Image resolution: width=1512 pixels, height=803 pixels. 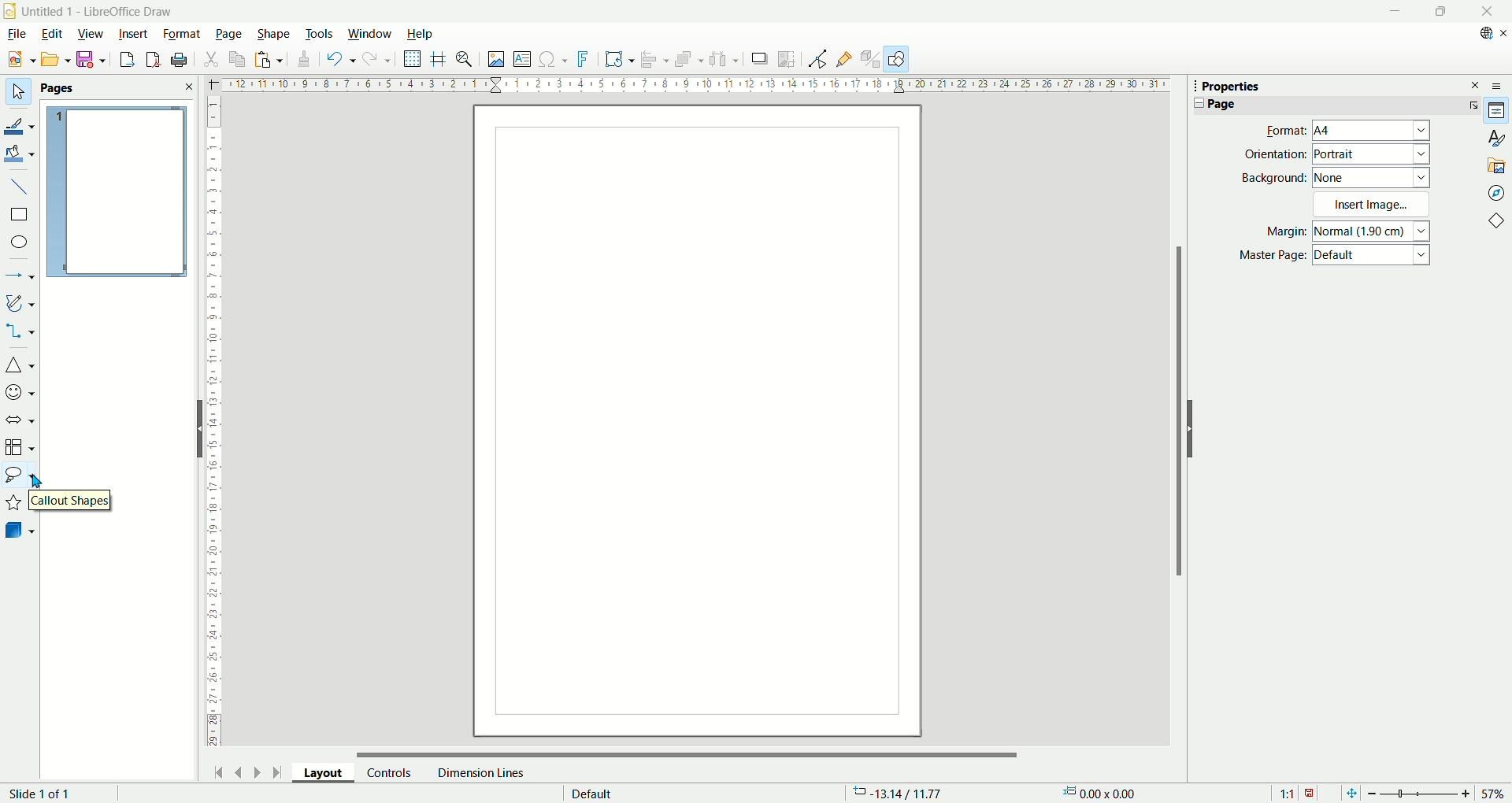 What do you see at coordinates (123, 59) in the screenshot?
I see `export` at bounding box center [123, 59].